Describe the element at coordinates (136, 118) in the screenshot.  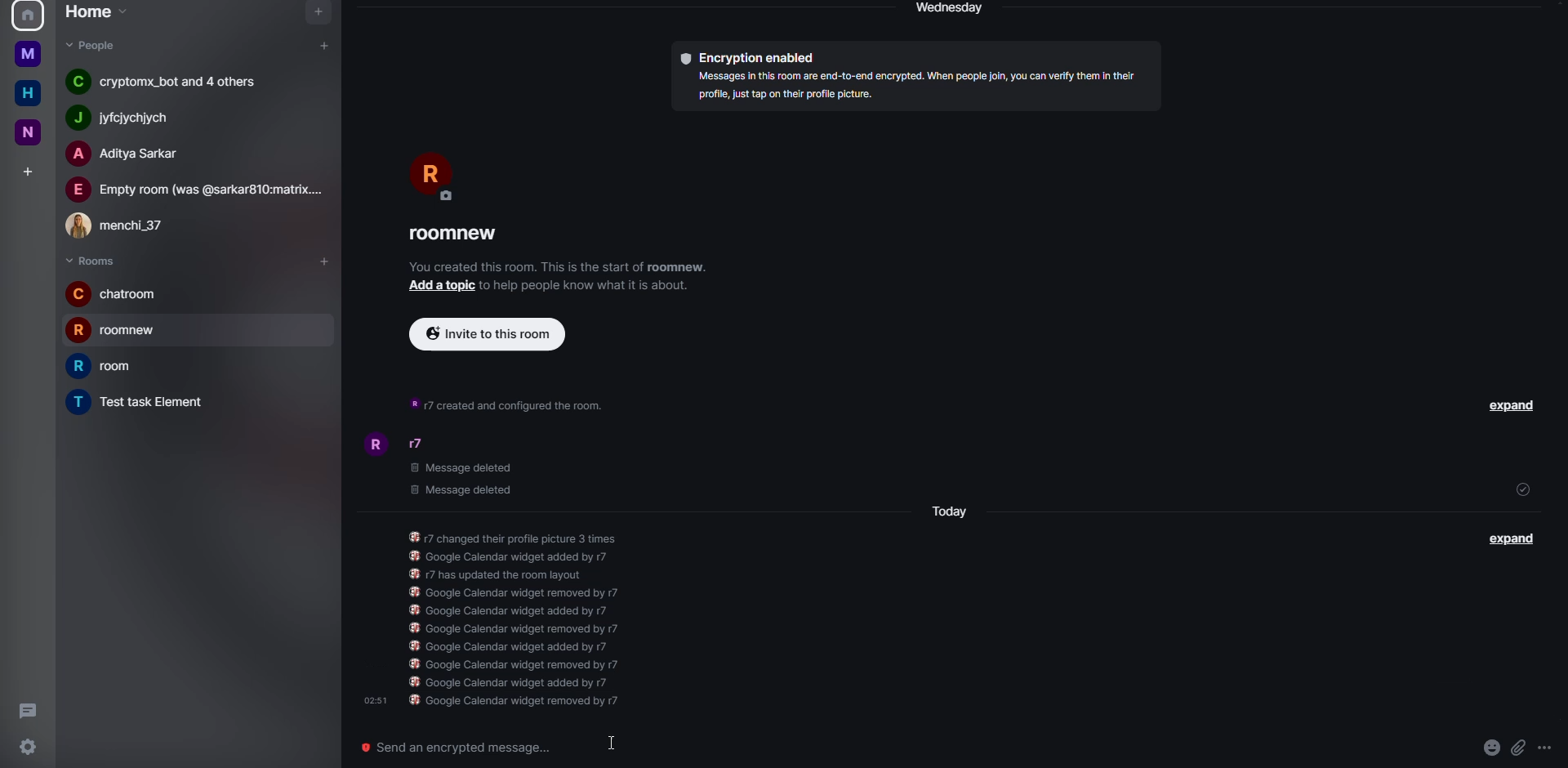
I see `people` at that location.